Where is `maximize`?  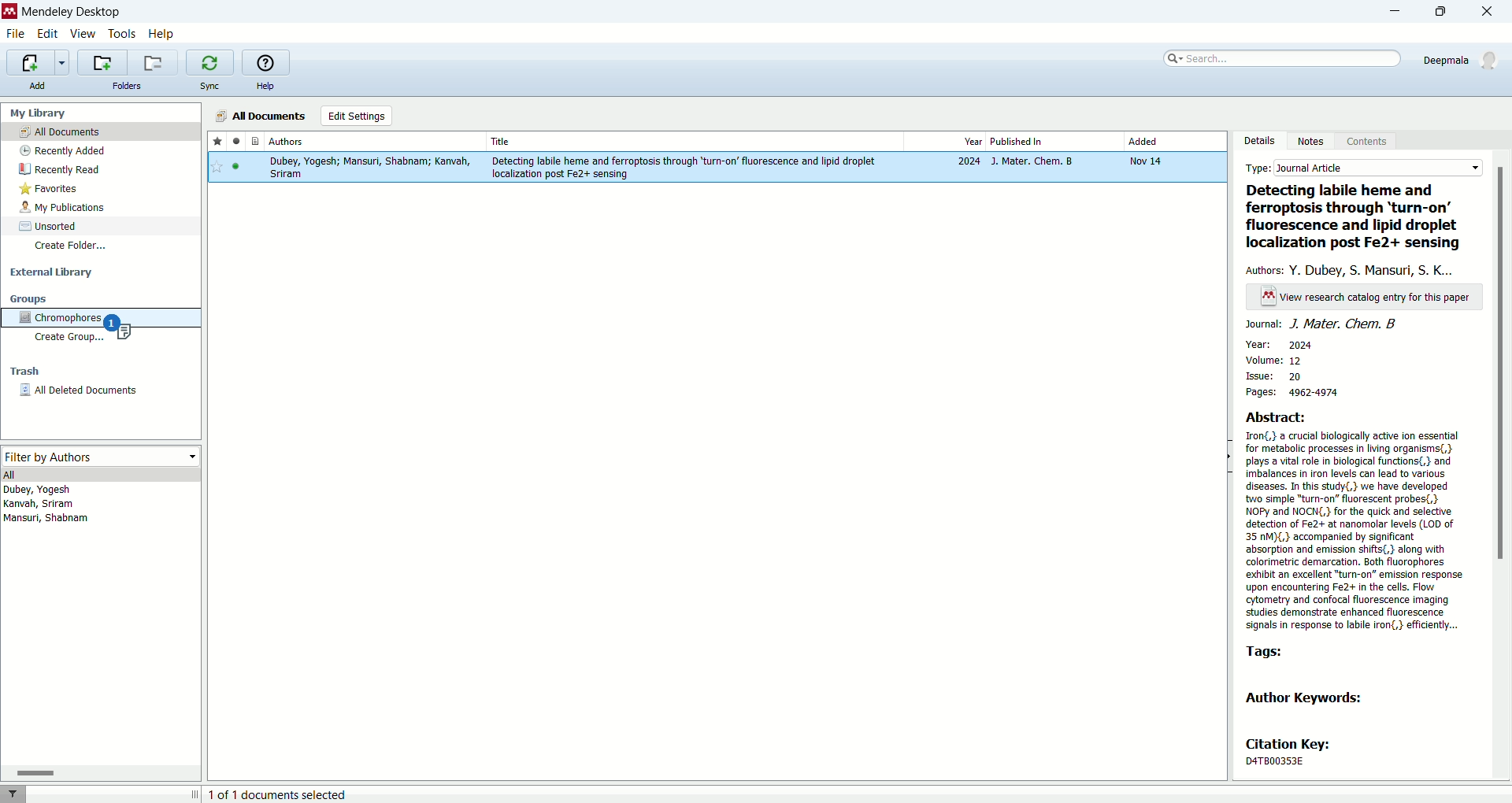 maximize is located at coordinates (1442, 11).